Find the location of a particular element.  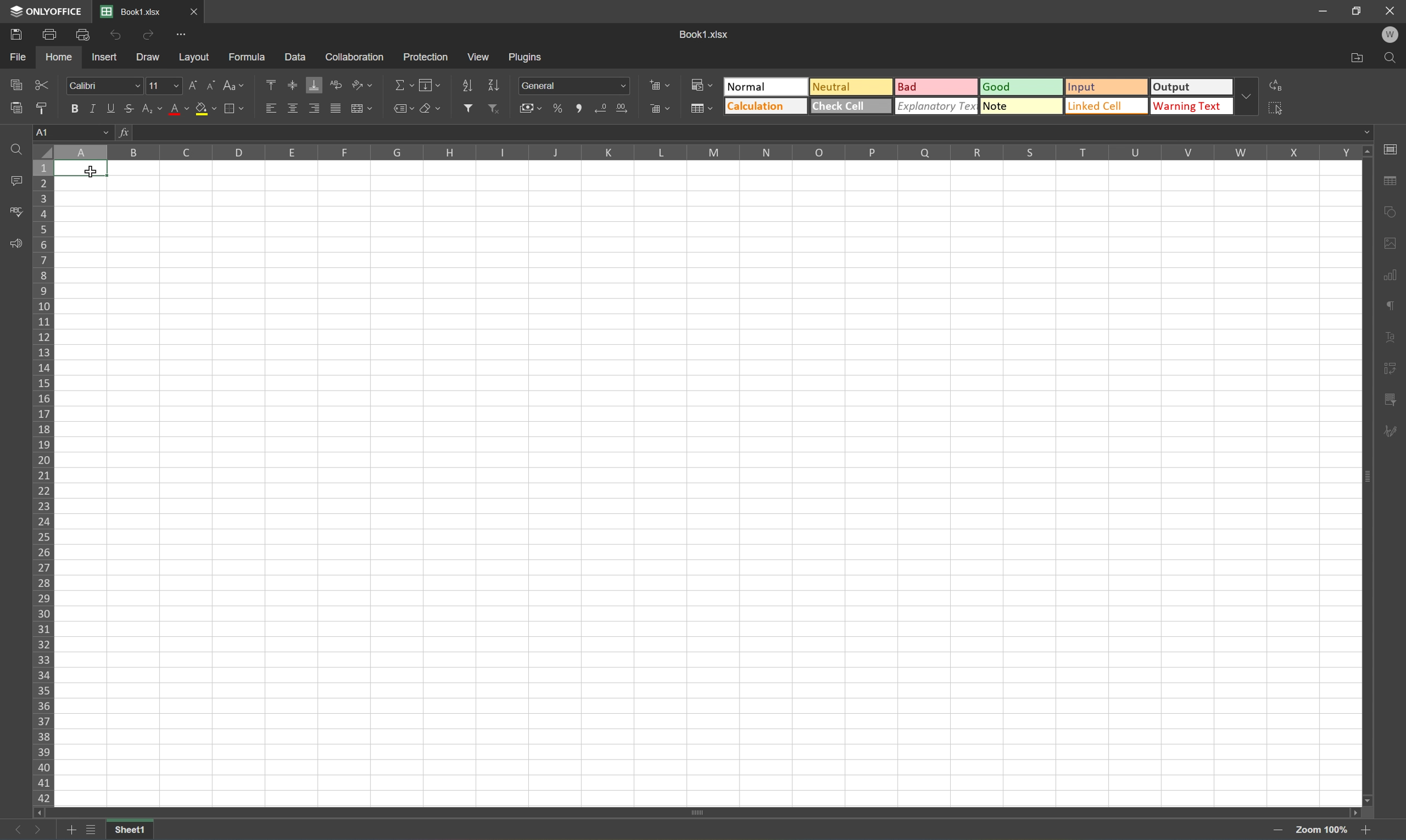

Restore down is located at coordinates (1357, 11).